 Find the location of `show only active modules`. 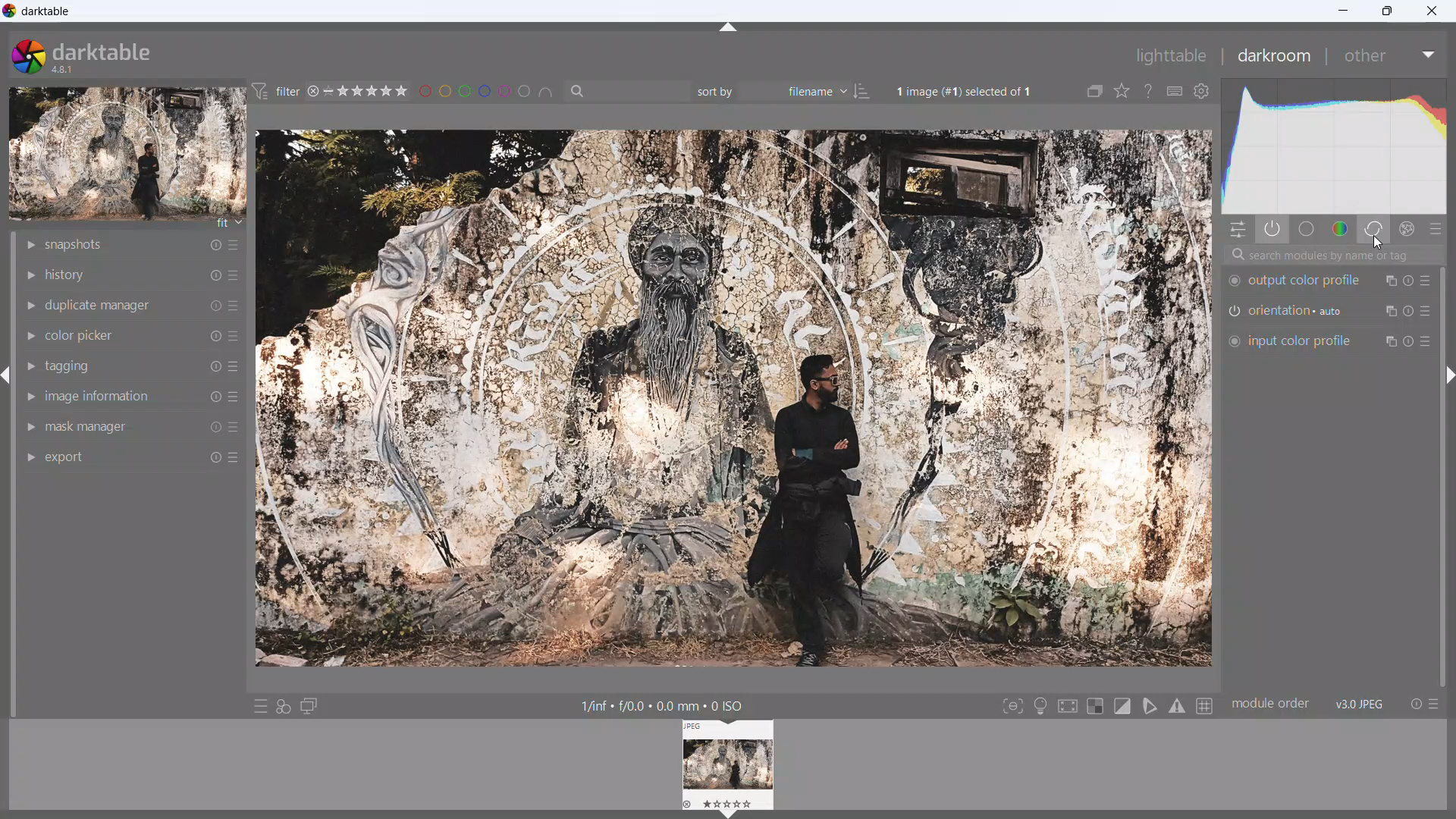

show only active modules is located at coordinates (1272, 230).